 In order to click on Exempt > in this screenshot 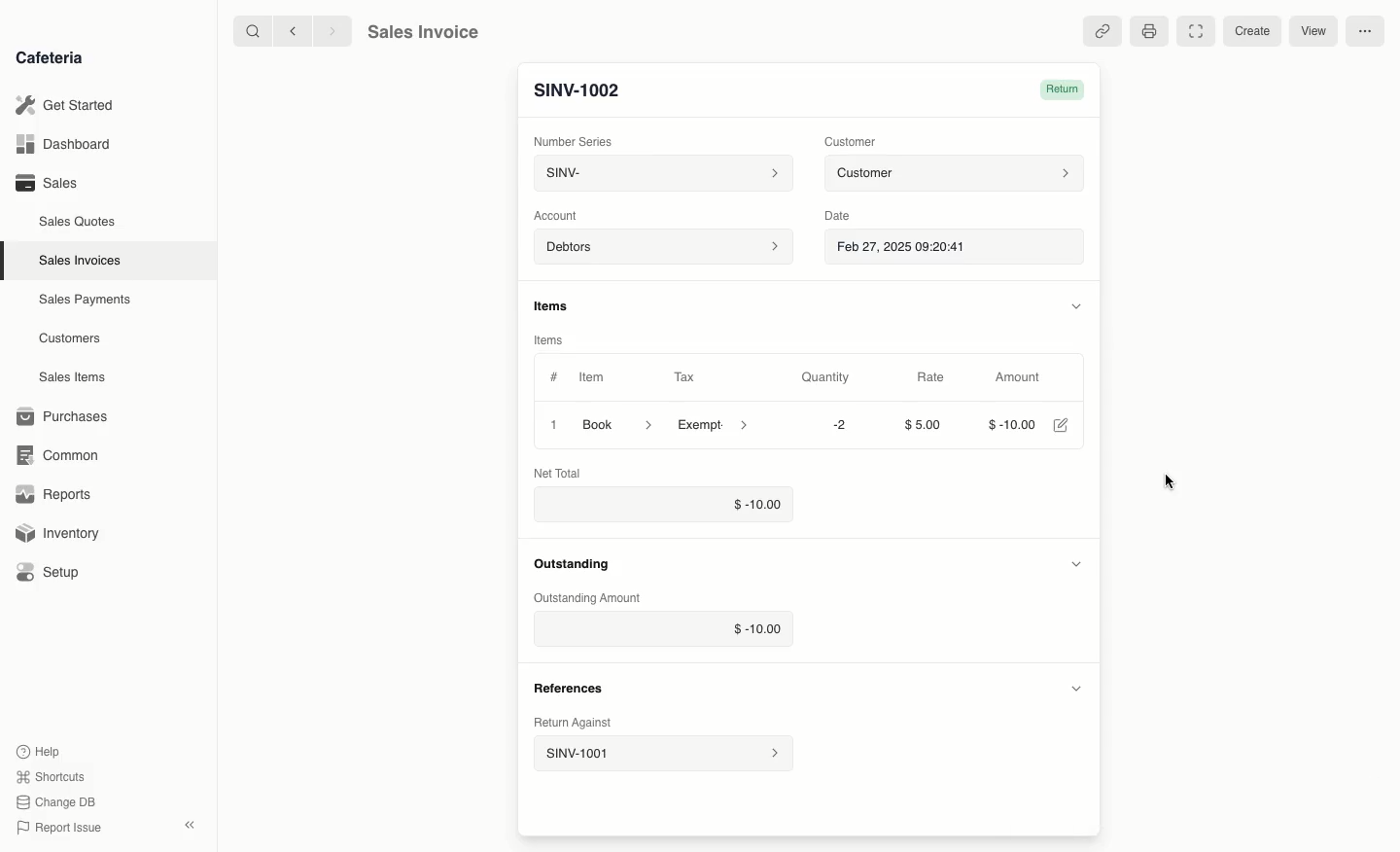, I will do `click(715, 426)`.